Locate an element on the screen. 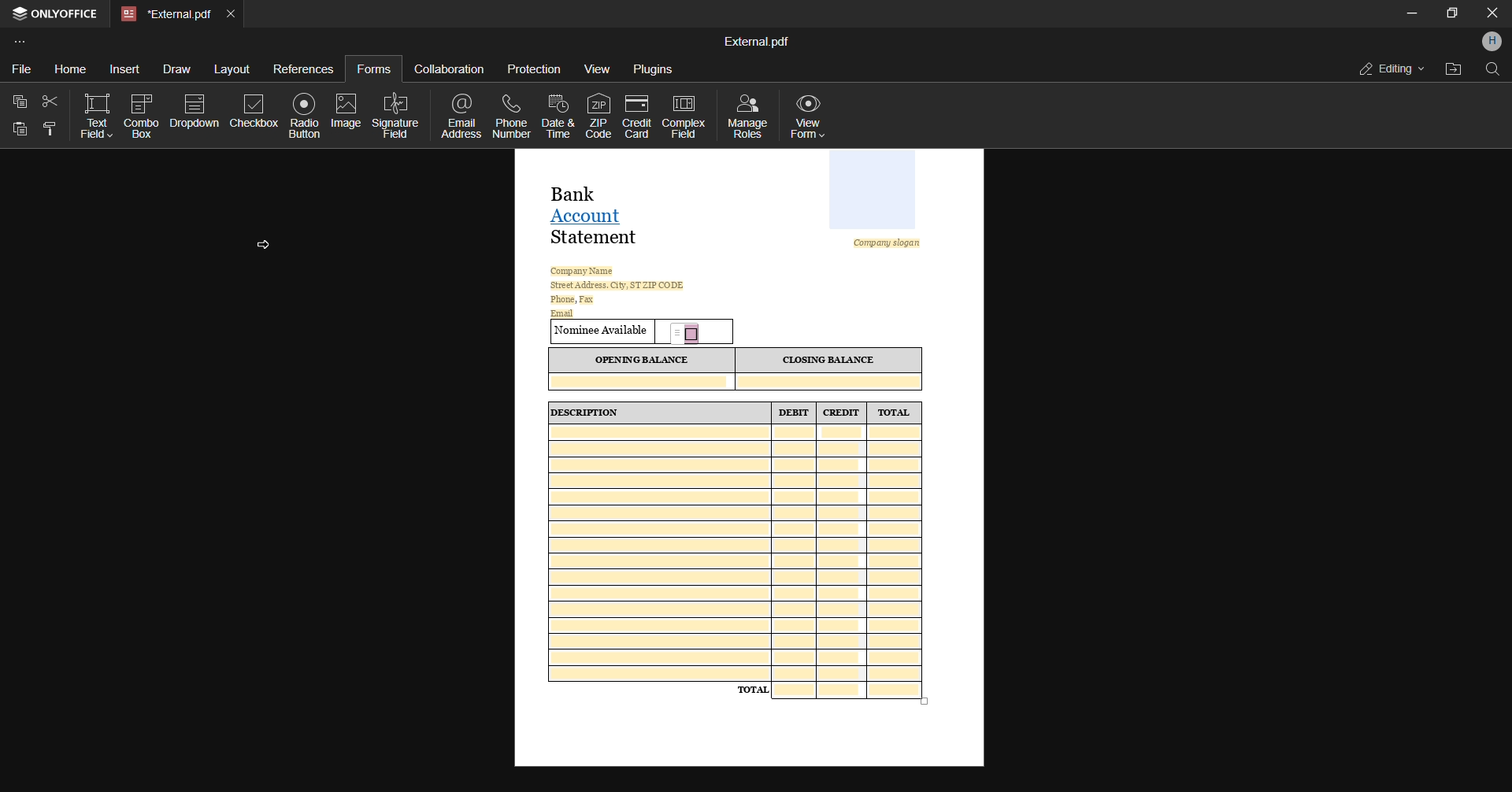   is located at coordinates (21, 131).